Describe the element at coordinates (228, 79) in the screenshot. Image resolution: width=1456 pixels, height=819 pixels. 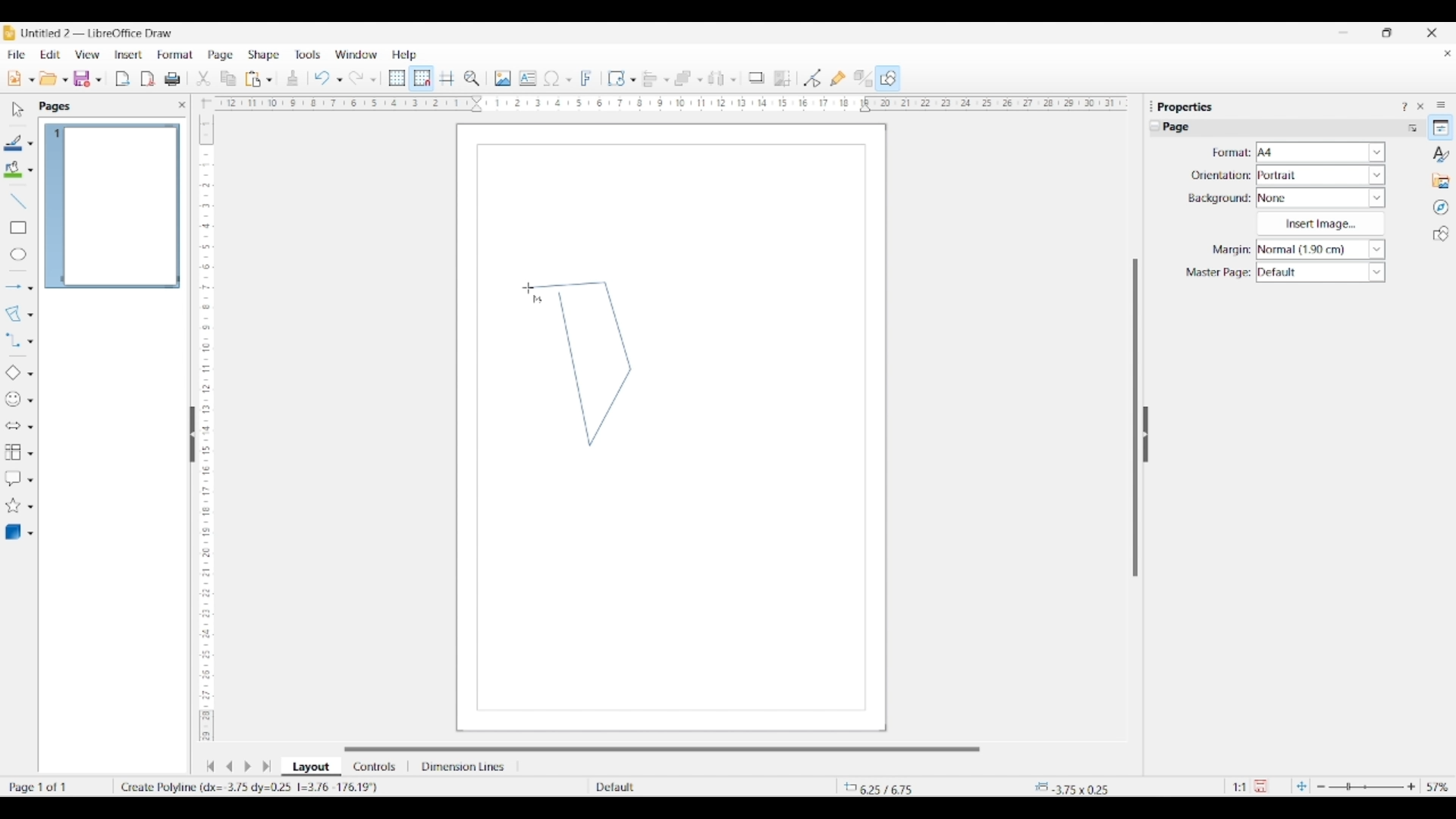
I see `Selected copy options` at that location.